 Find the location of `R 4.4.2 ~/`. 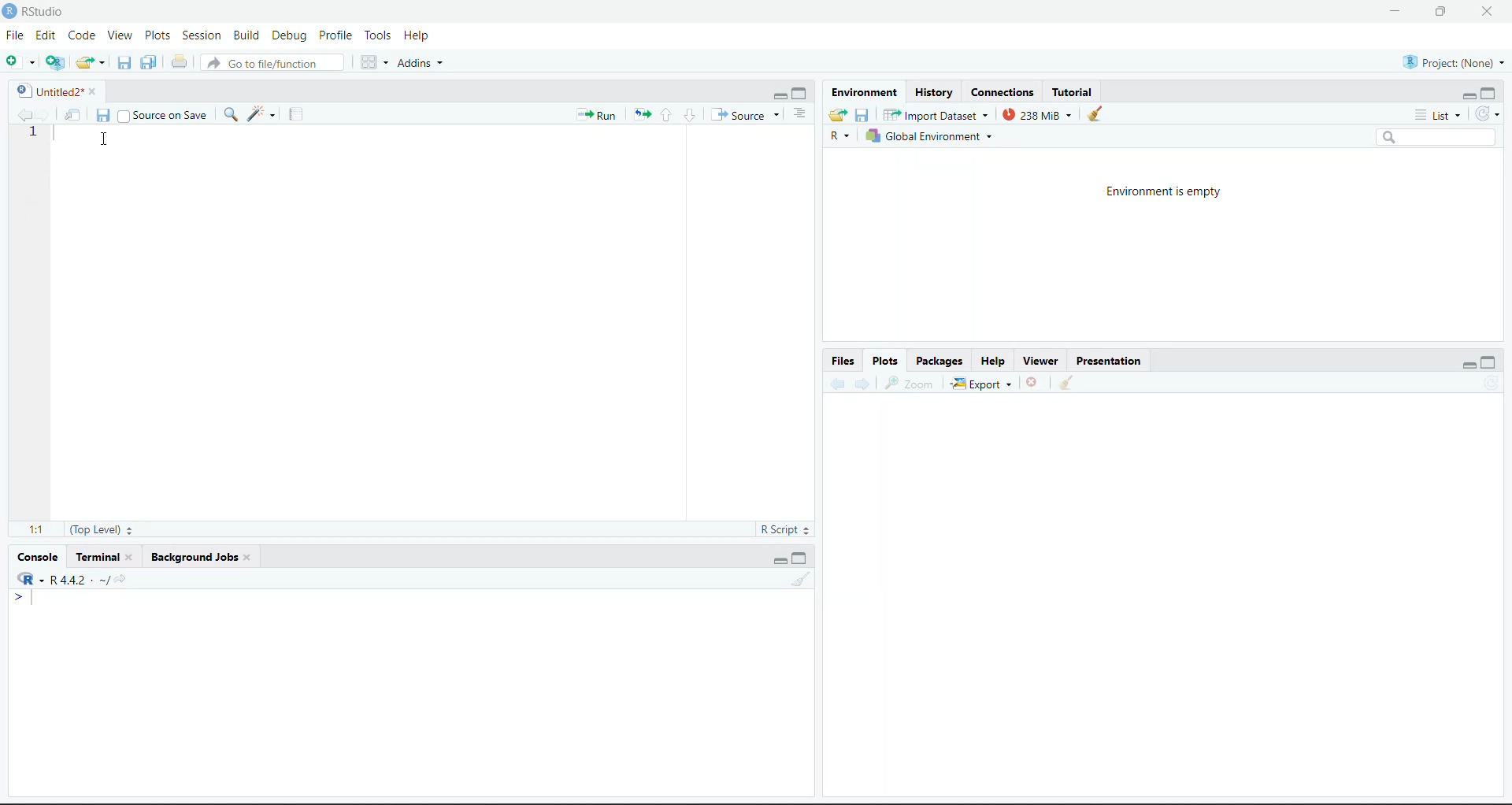

R 4.4.2 ~/ is located at coordinates (70, 578).